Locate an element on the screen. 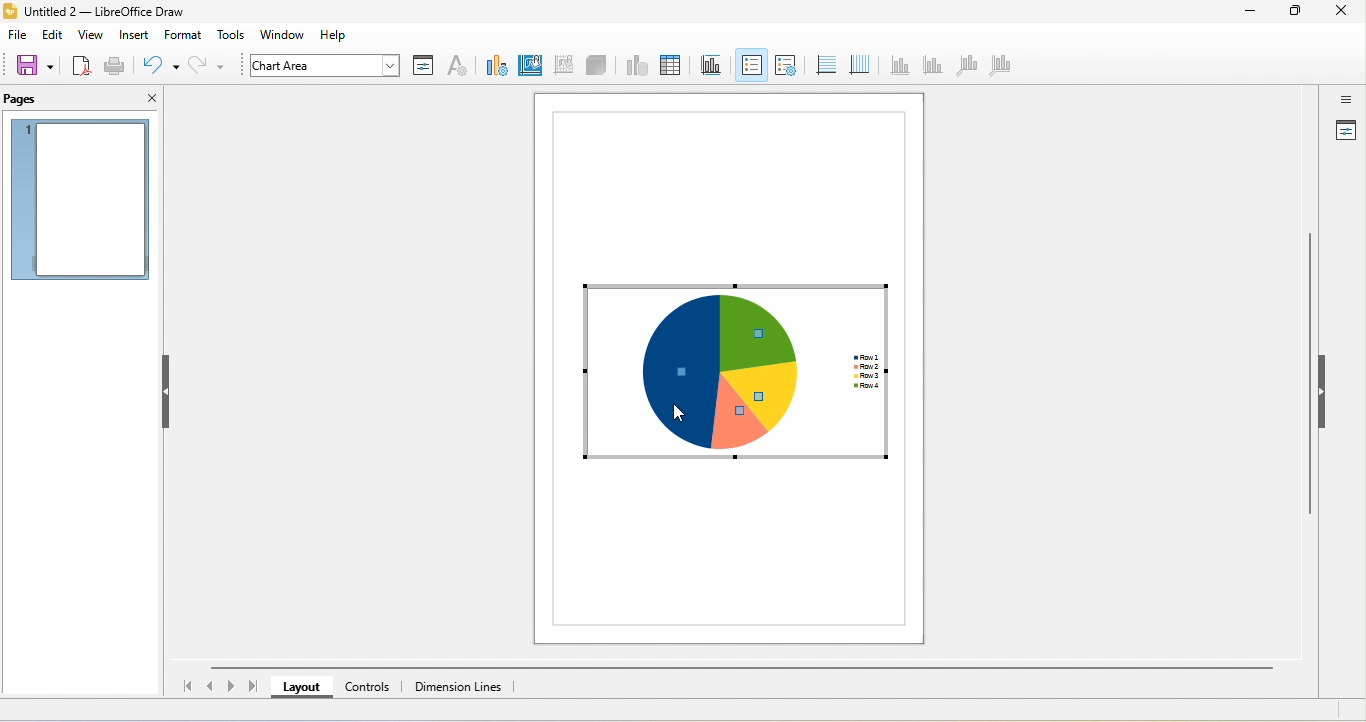 The width and height of the screenshot is (1366, 722). next is located at coordinates (232, 687).